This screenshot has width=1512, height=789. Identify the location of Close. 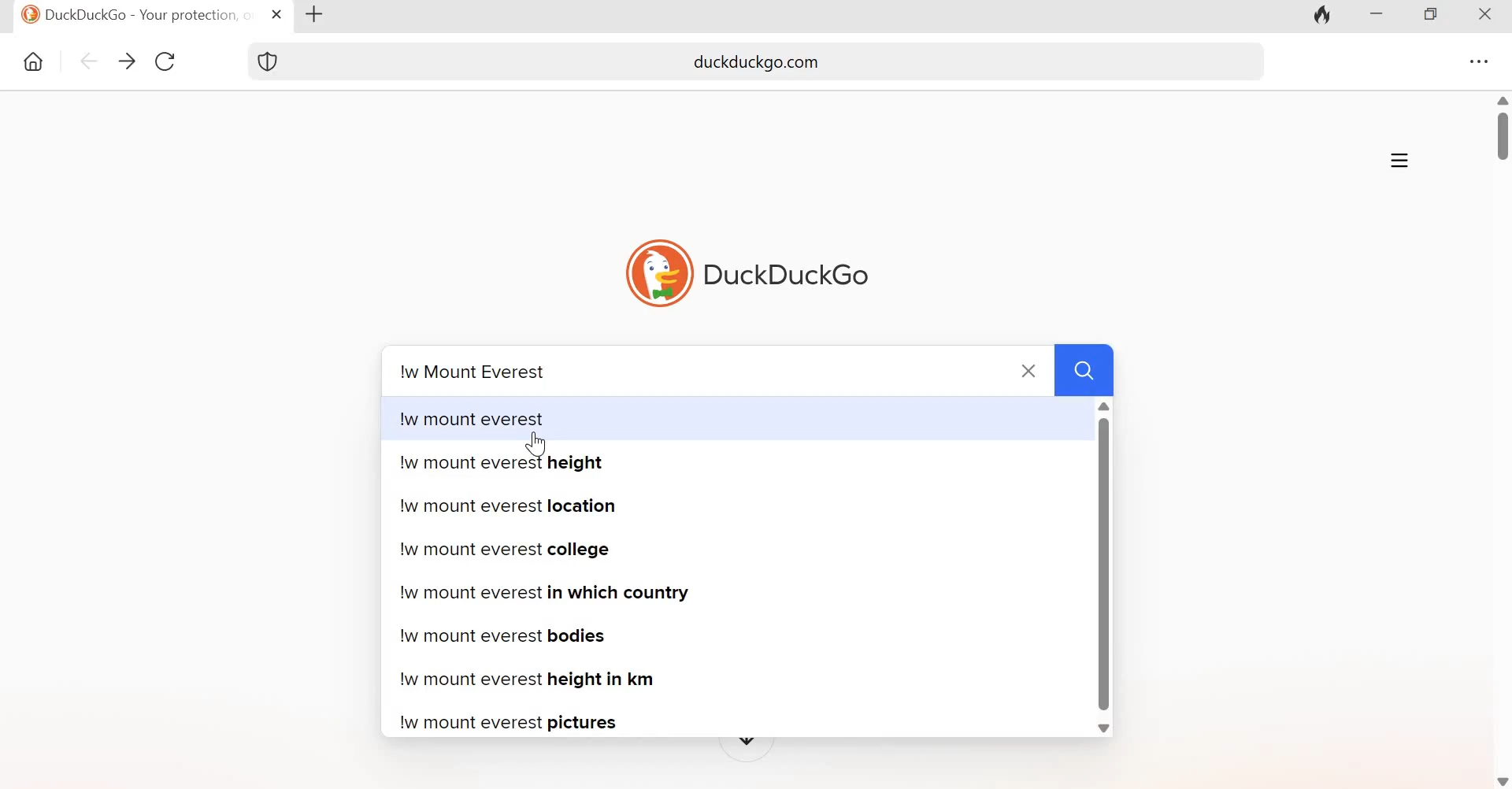
(1487, 14).